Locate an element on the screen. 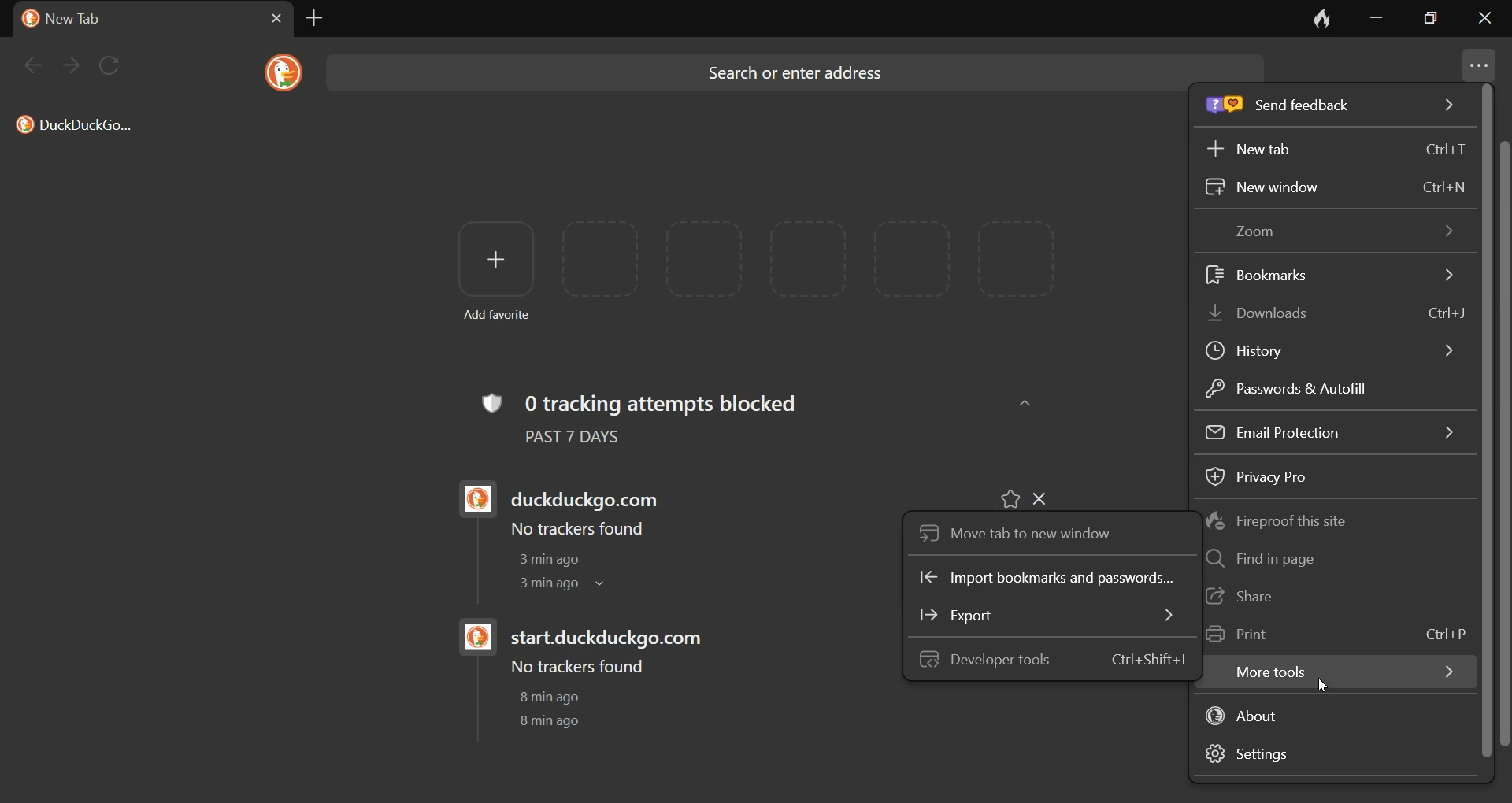  restore down is located at coordinates (1437, 21).